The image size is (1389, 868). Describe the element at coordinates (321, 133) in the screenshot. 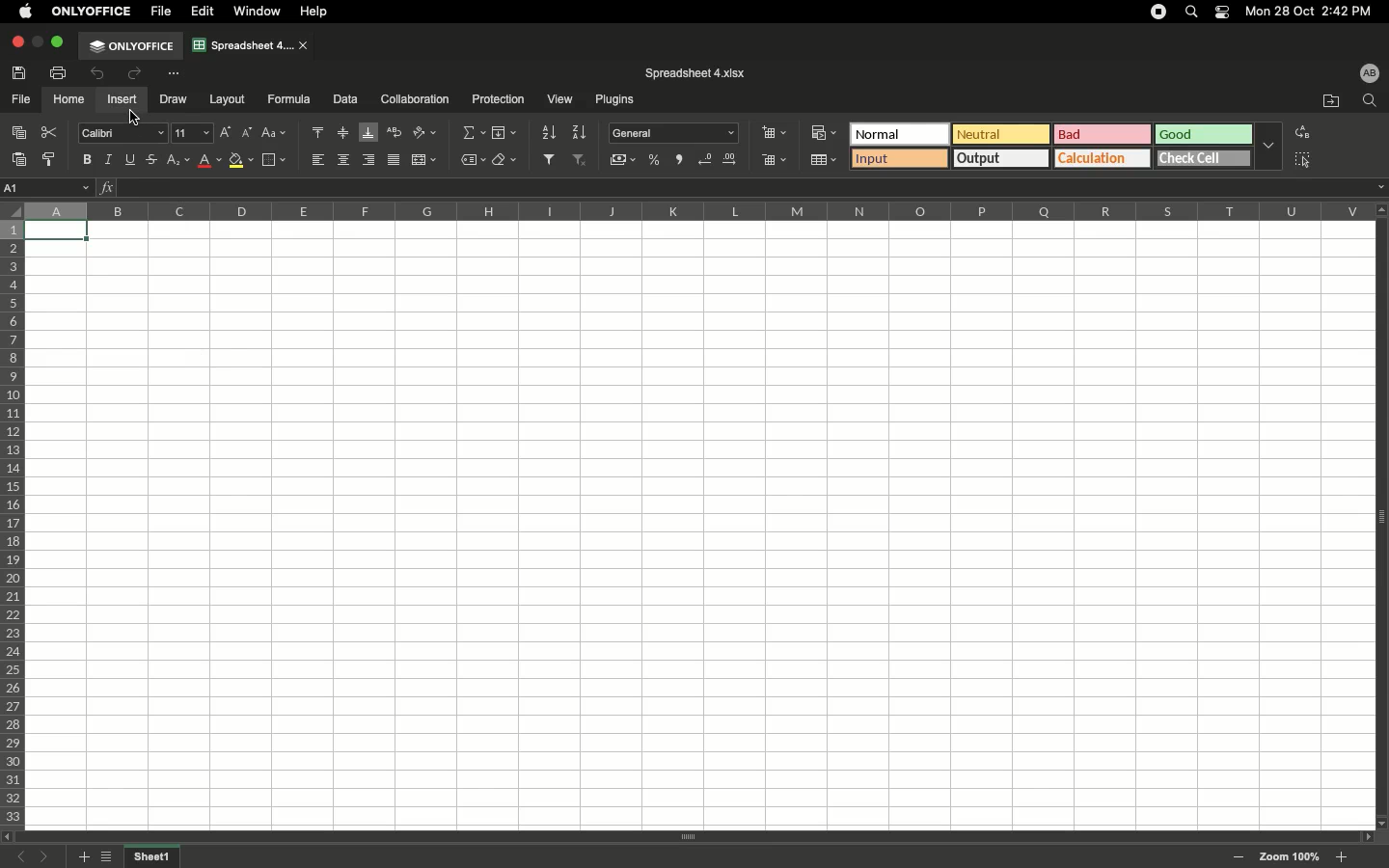

I see `Align top` at that location.